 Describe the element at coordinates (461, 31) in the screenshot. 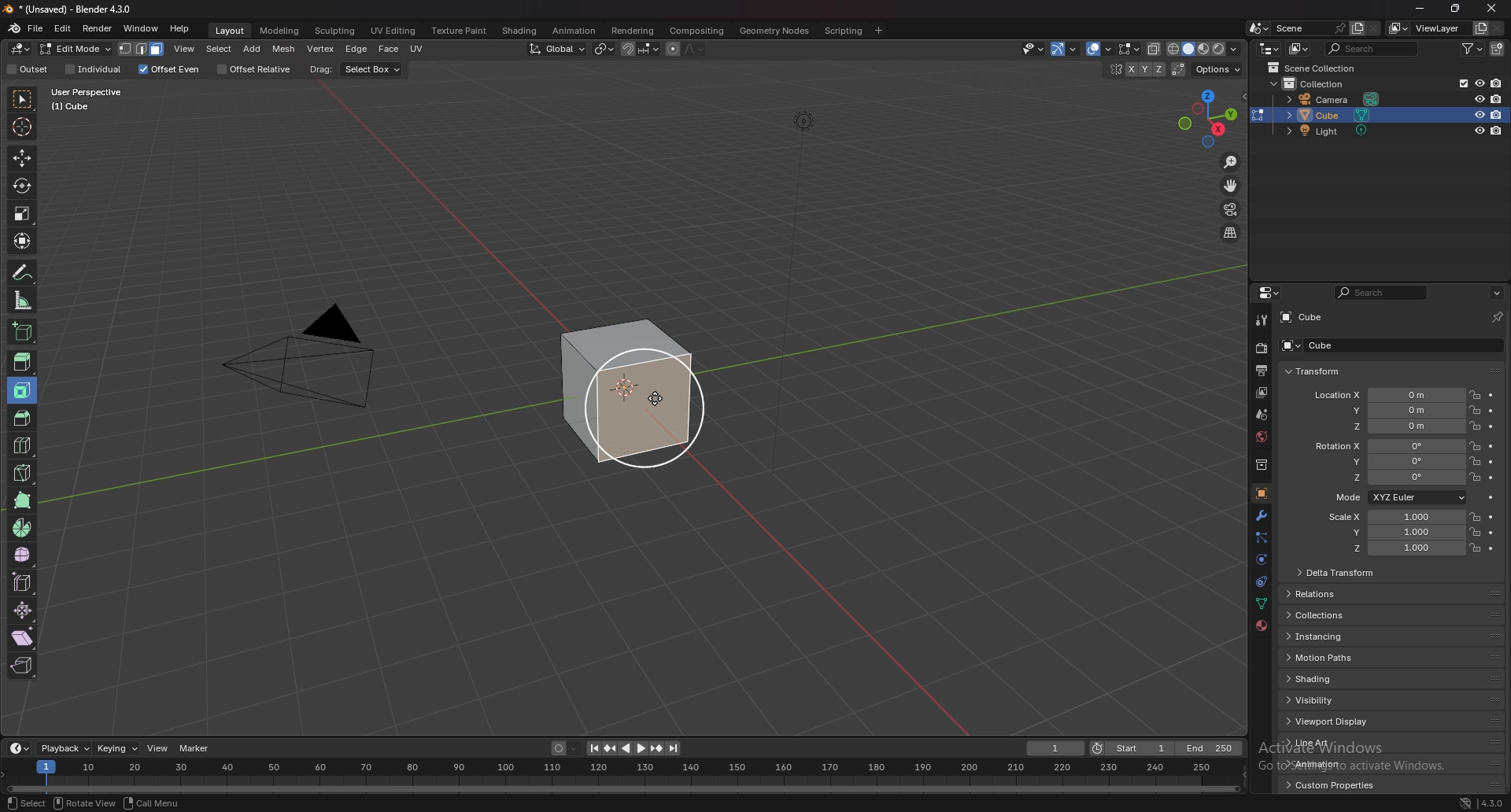

I see `texture paint` at that location.